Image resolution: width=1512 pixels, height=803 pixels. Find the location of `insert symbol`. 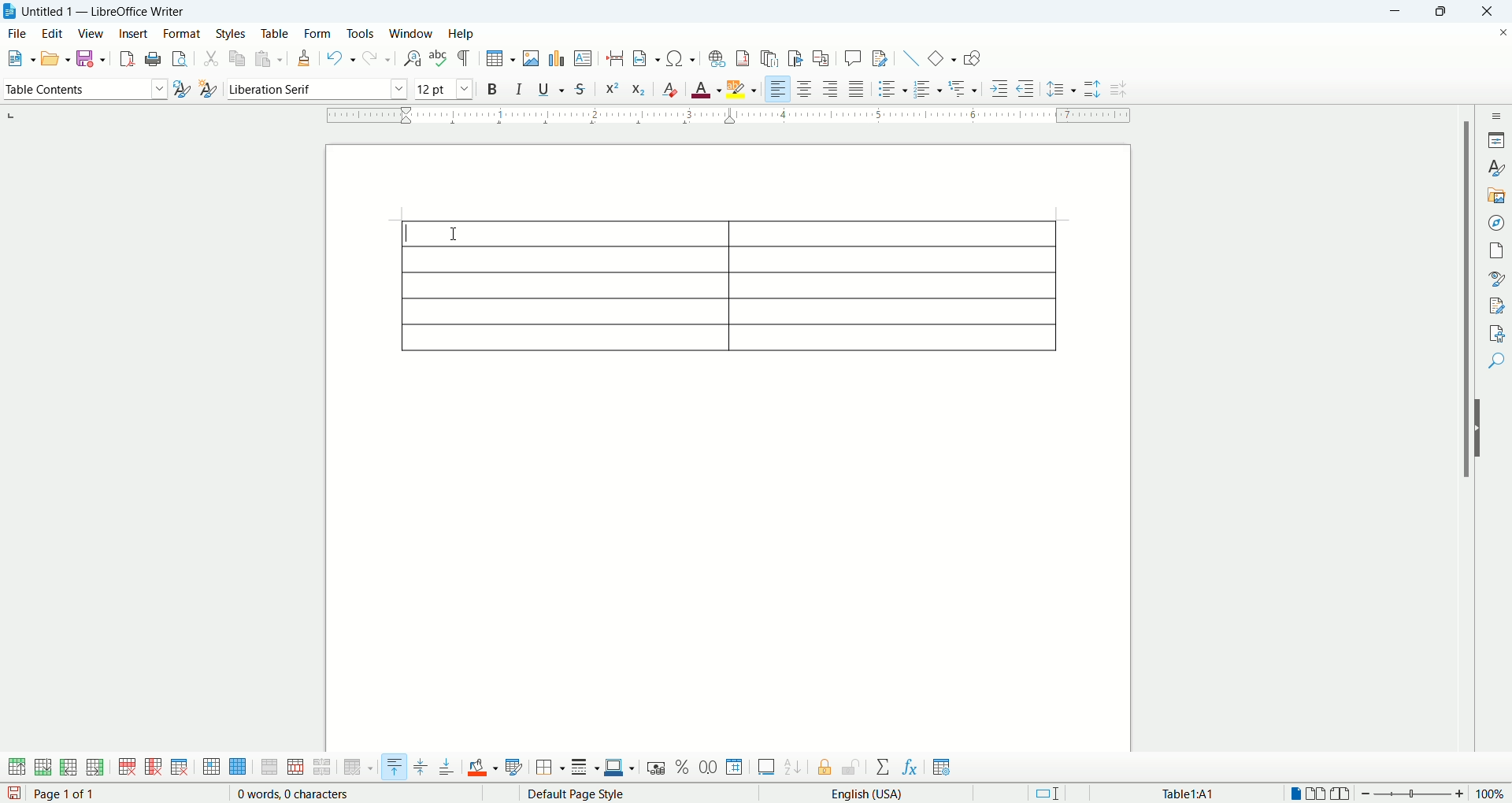

insert symbol is located at coordinates (682, 57).